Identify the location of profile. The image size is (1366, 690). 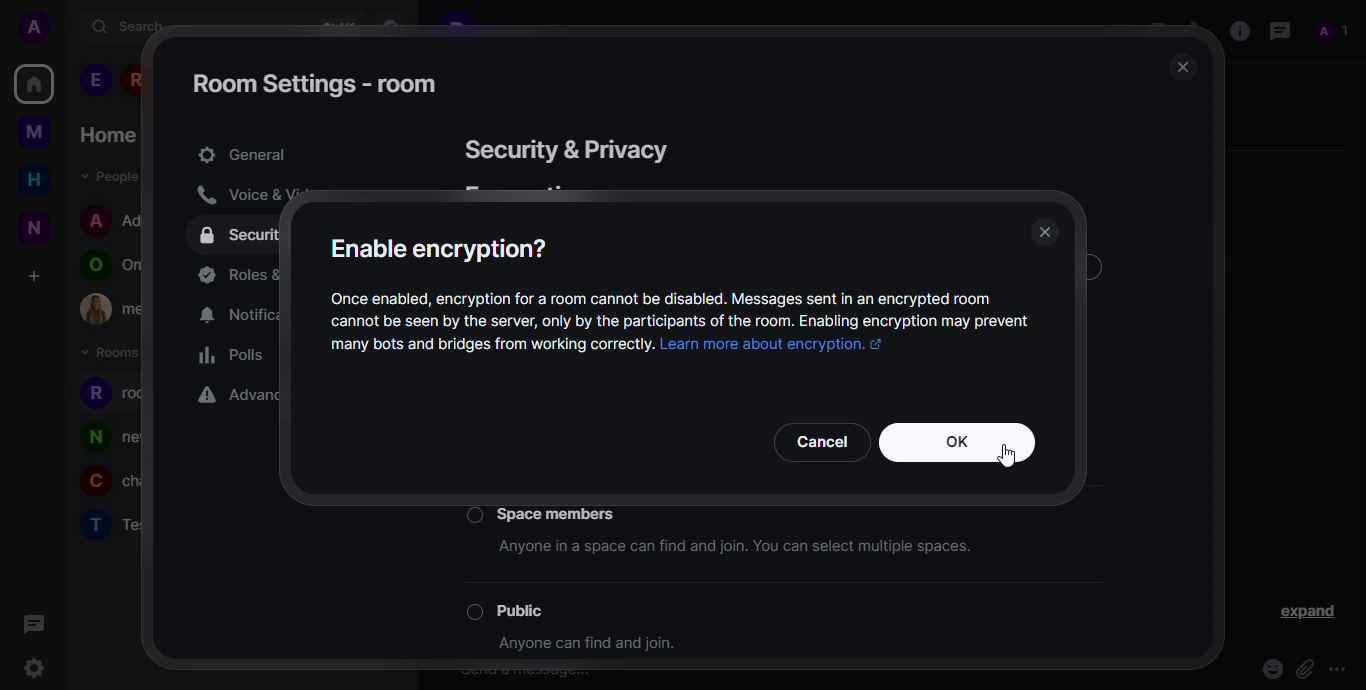
(96, 219).